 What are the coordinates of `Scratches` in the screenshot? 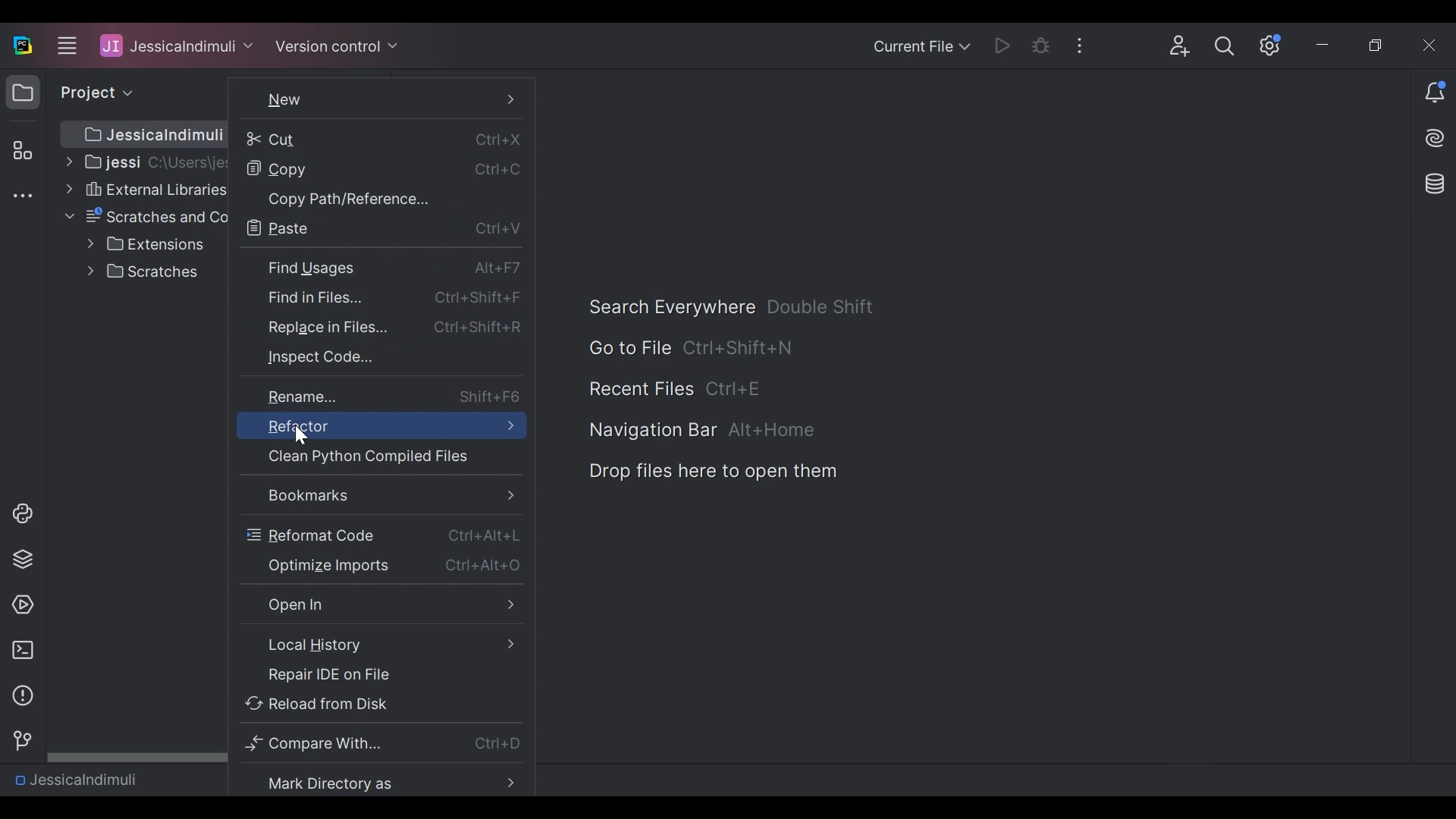 It's located at (146, 271).